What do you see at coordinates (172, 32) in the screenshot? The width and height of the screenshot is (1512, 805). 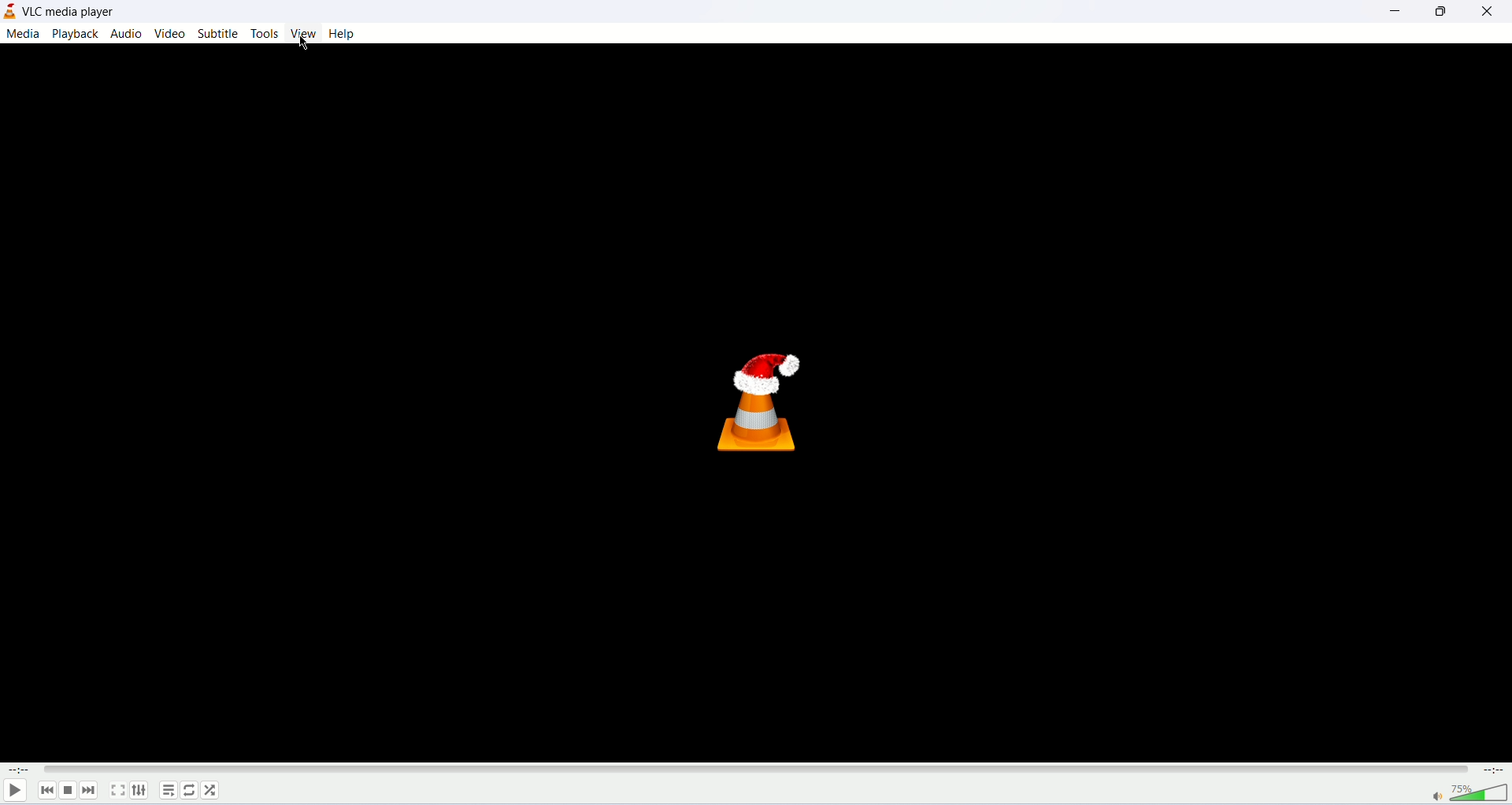 I see `video` at bounding box center [172, 32].